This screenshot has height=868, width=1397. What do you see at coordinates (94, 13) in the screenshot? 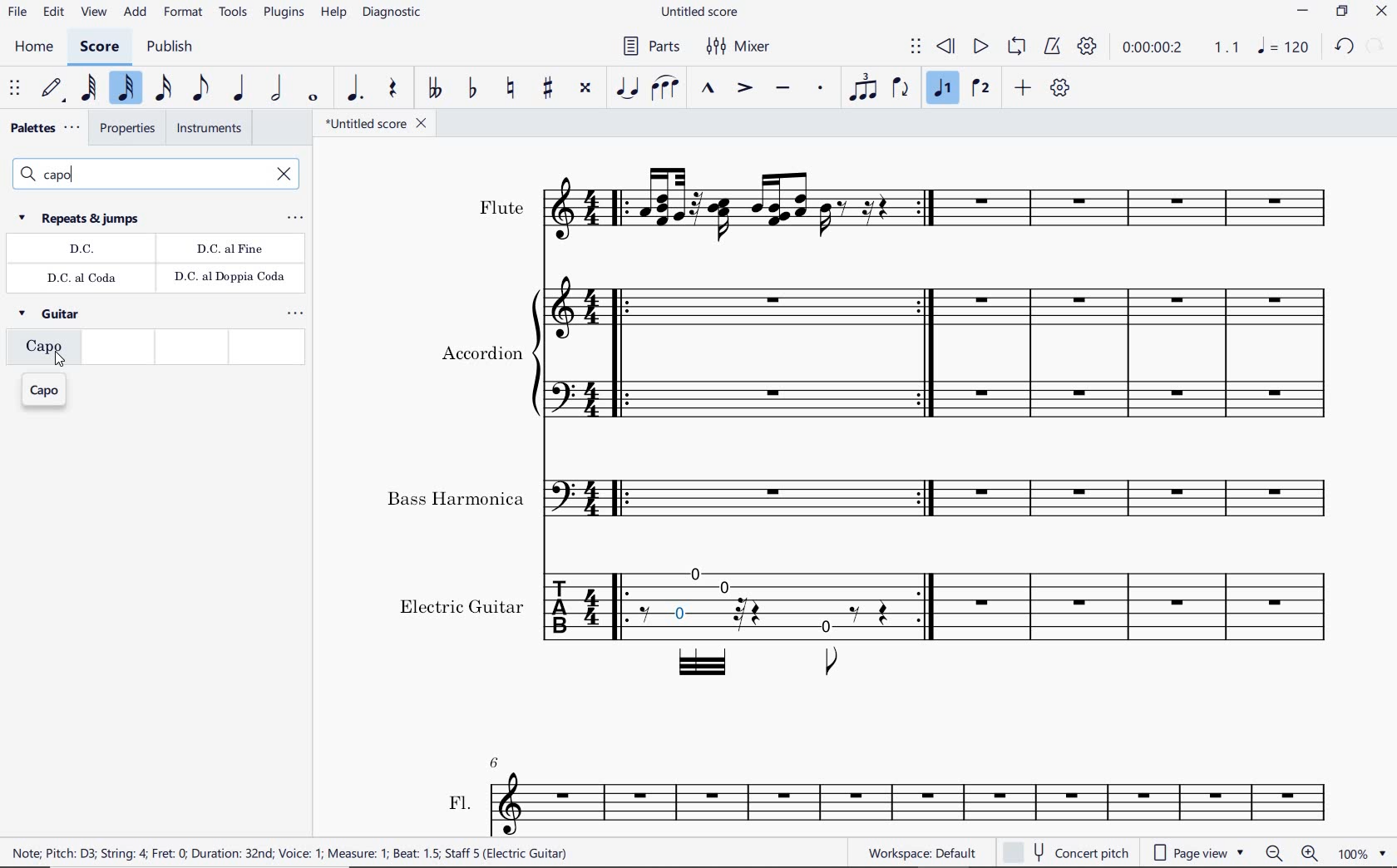
I see `view` at bounding box center [94, 13].